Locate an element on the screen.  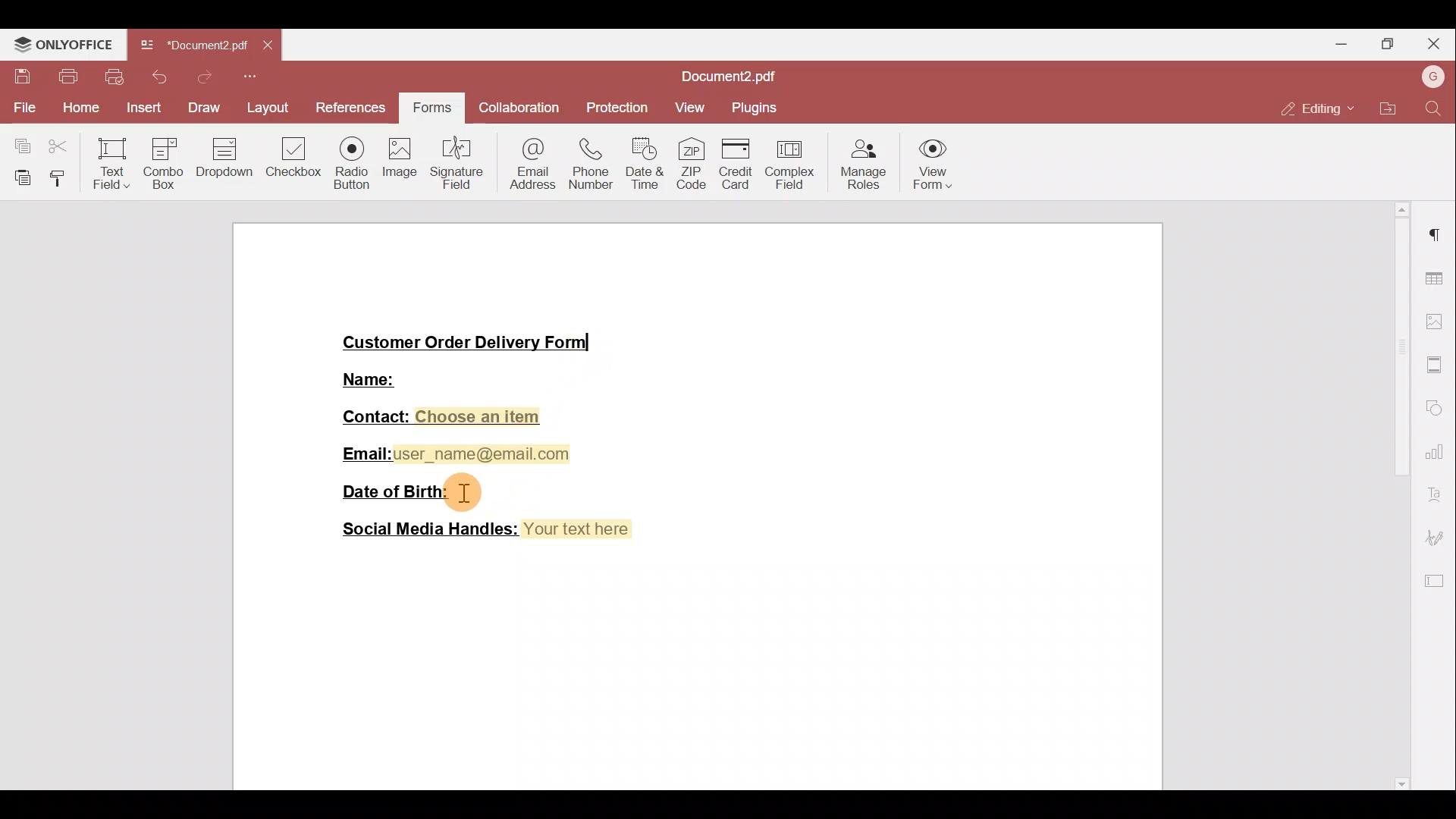
View is located at coordinates (695, 105).